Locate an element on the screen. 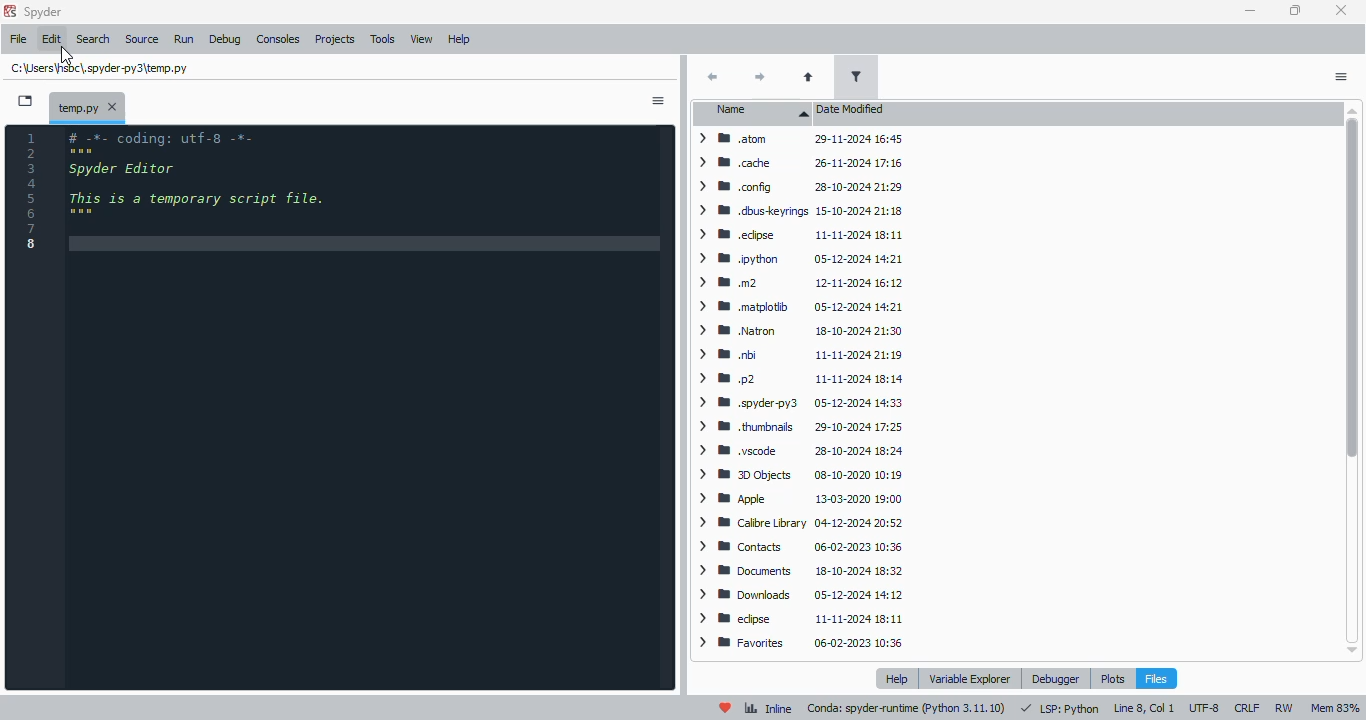 The image size is (1366, 720). 2 ® ,vscode 28-10-2024 18:24 is located at coordinates (798, 453).